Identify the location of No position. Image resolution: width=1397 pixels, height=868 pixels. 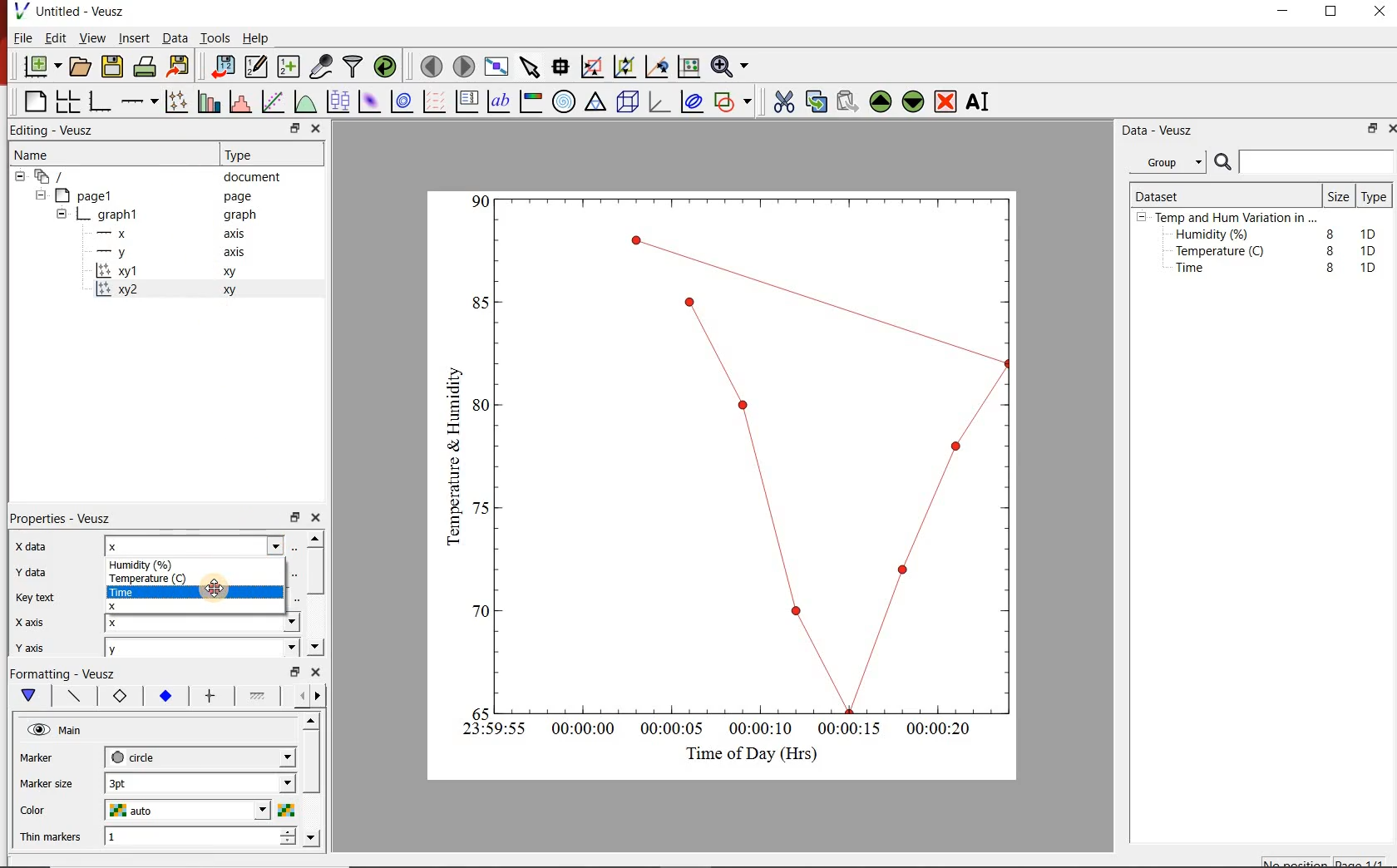
(1296, 862).